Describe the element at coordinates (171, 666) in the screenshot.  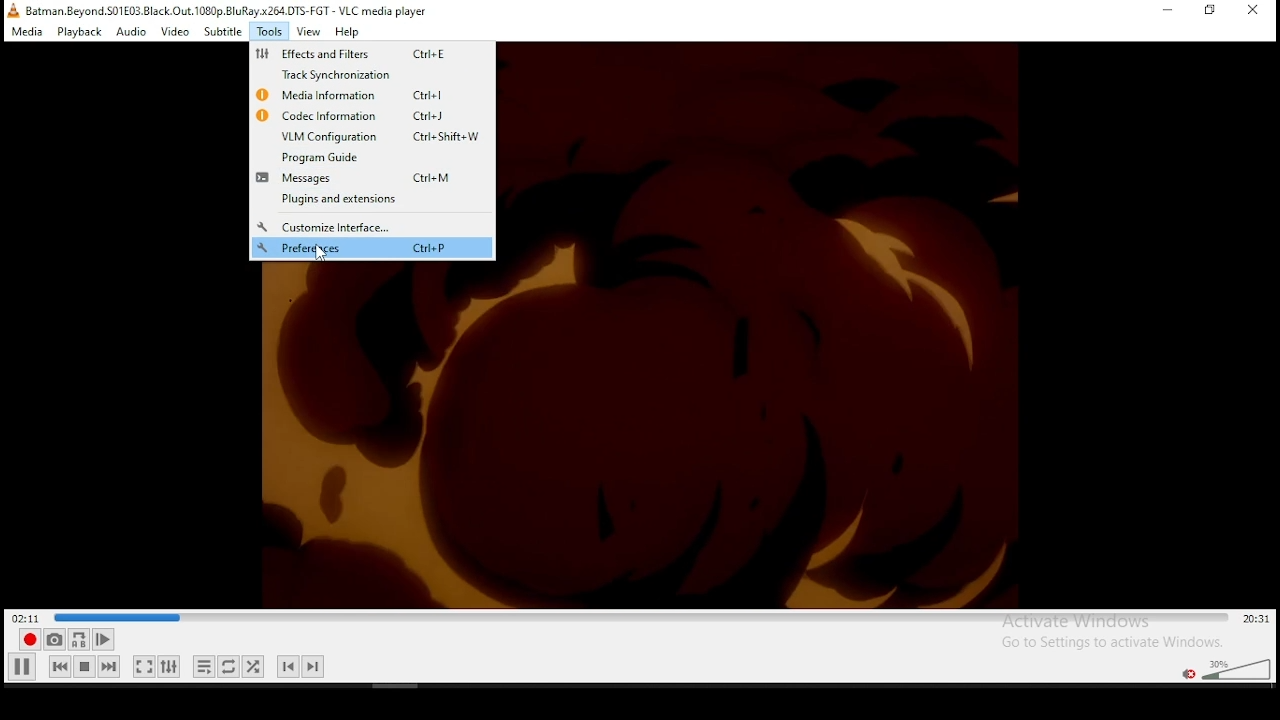
I see `show extended settings` at that location.